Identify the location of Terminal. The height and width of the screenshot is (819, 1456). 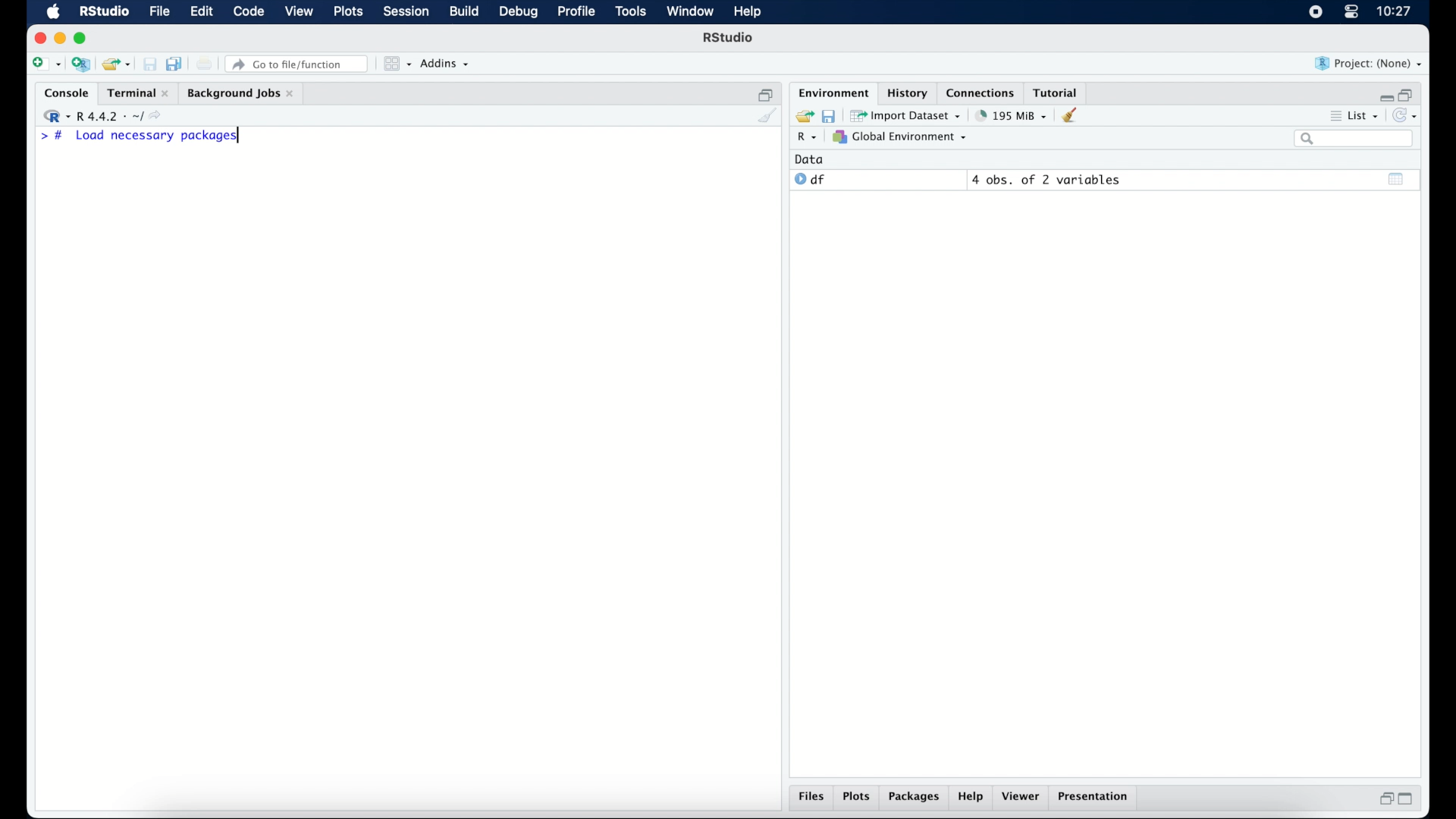
(133, 93).